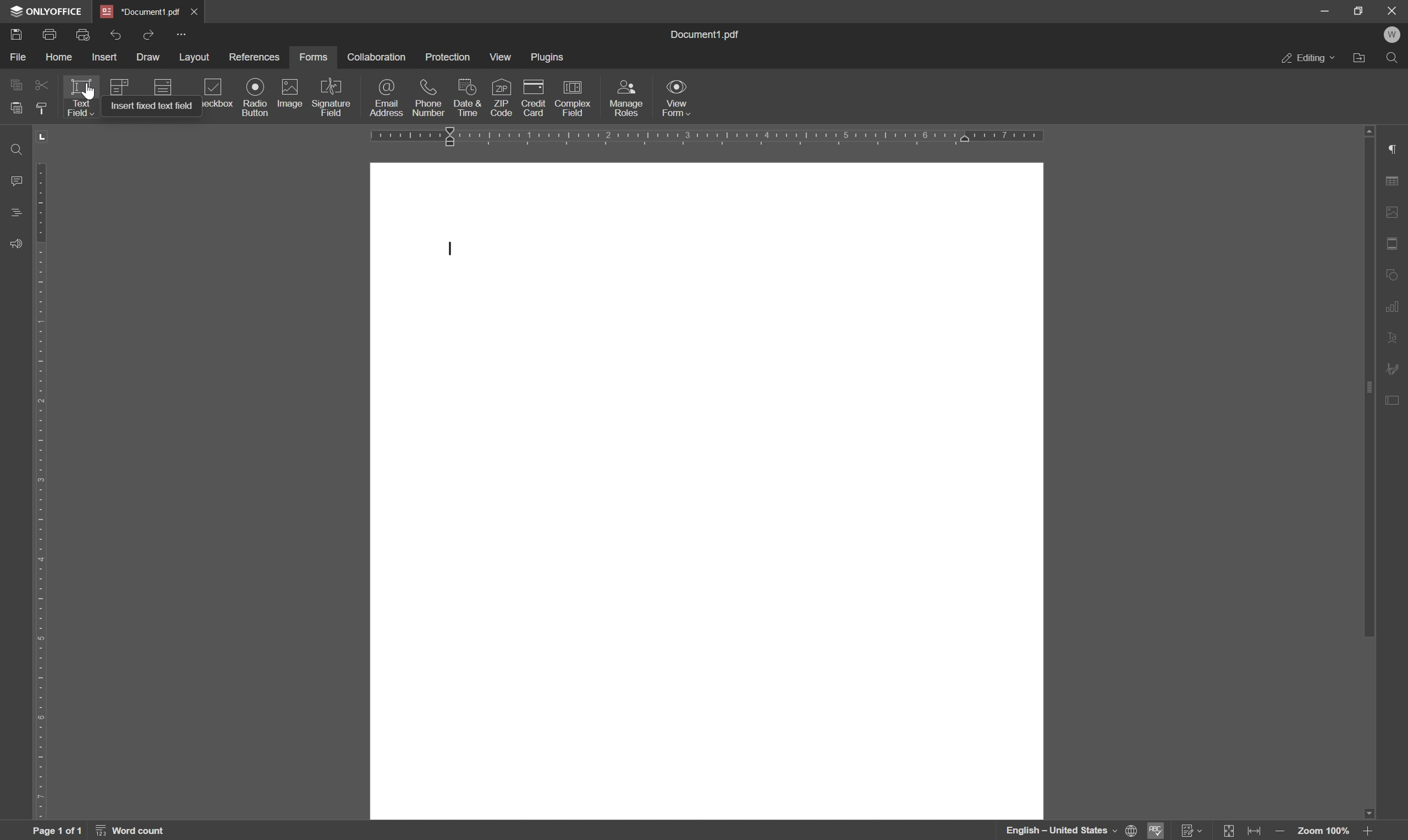  Describe the element at coordinates (1368, 128) in the screenshot. I see `scroll up` at that location.